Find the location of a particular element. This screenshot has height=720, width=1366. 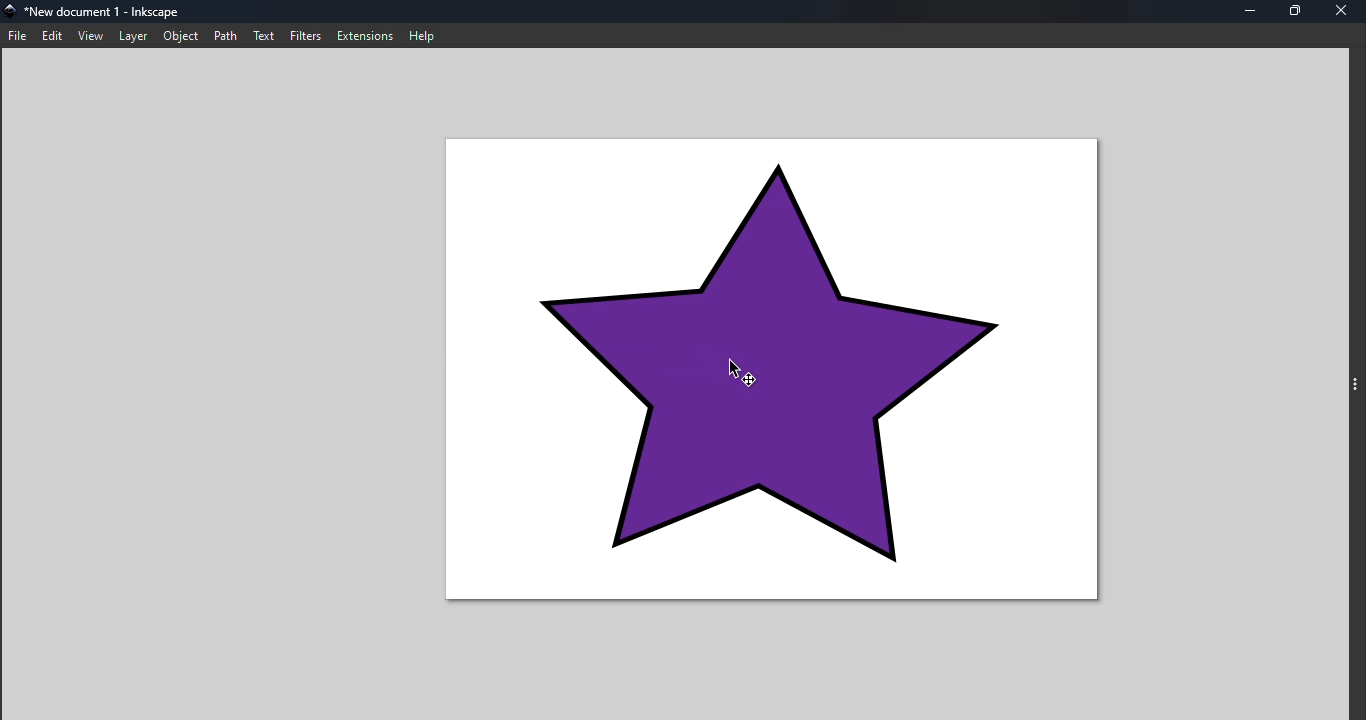

Extensions is located at coordinates (362, 34).